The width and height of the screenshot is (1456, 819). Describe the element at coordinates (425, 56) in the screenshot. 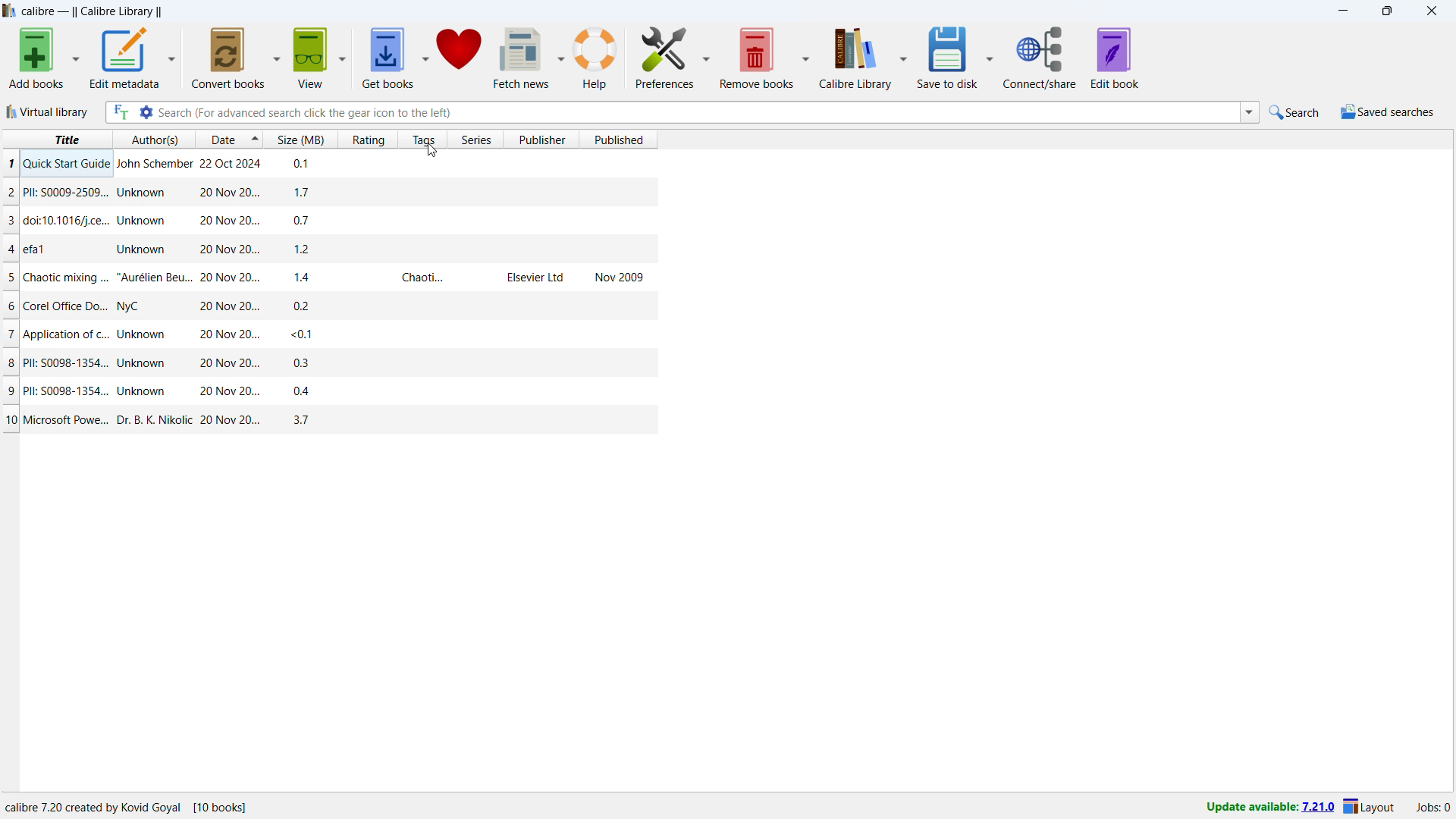

I see `get books options` at that location.